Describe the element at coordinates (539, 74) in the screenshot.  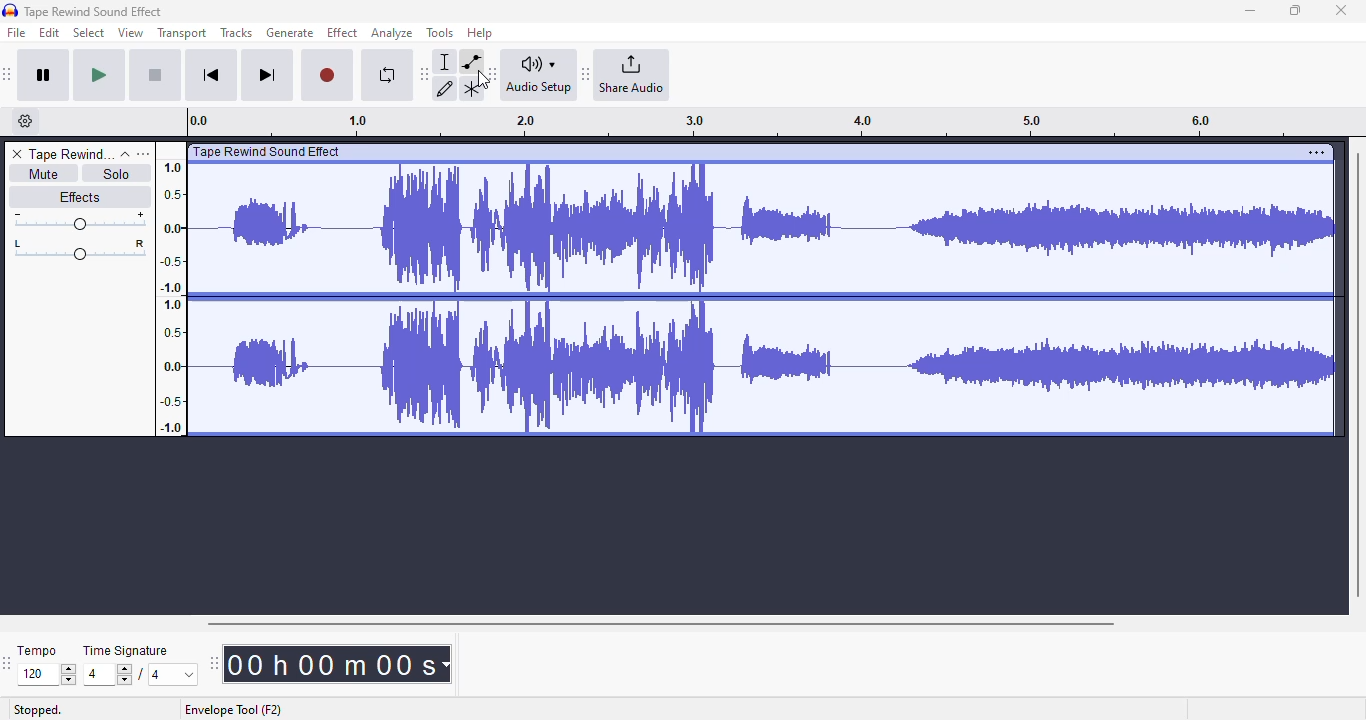
I see `audio setup` at that location.